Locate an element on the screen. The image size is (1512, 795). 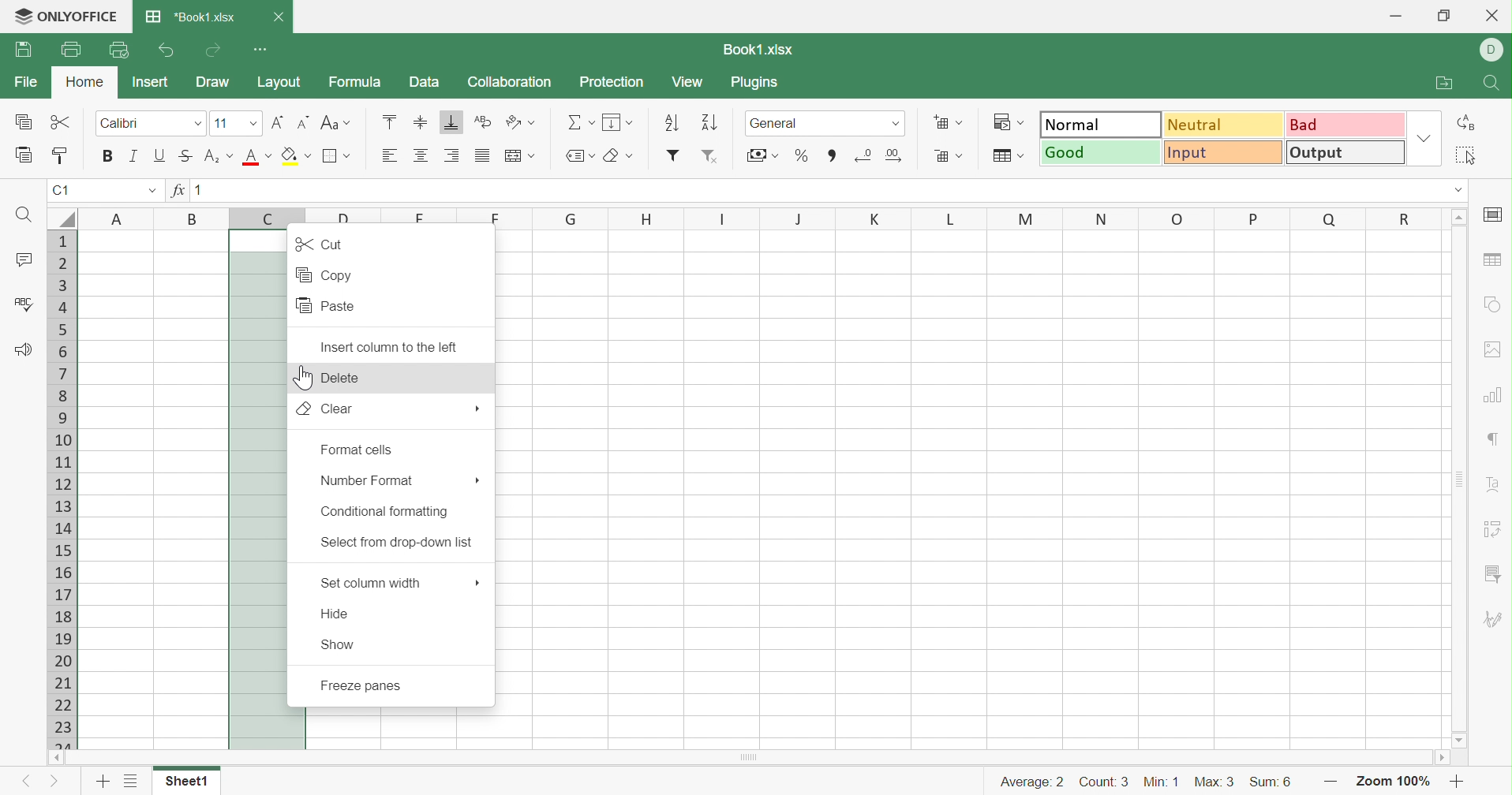
Horizontal Scroll Bar is located at coordinates (746, 756).